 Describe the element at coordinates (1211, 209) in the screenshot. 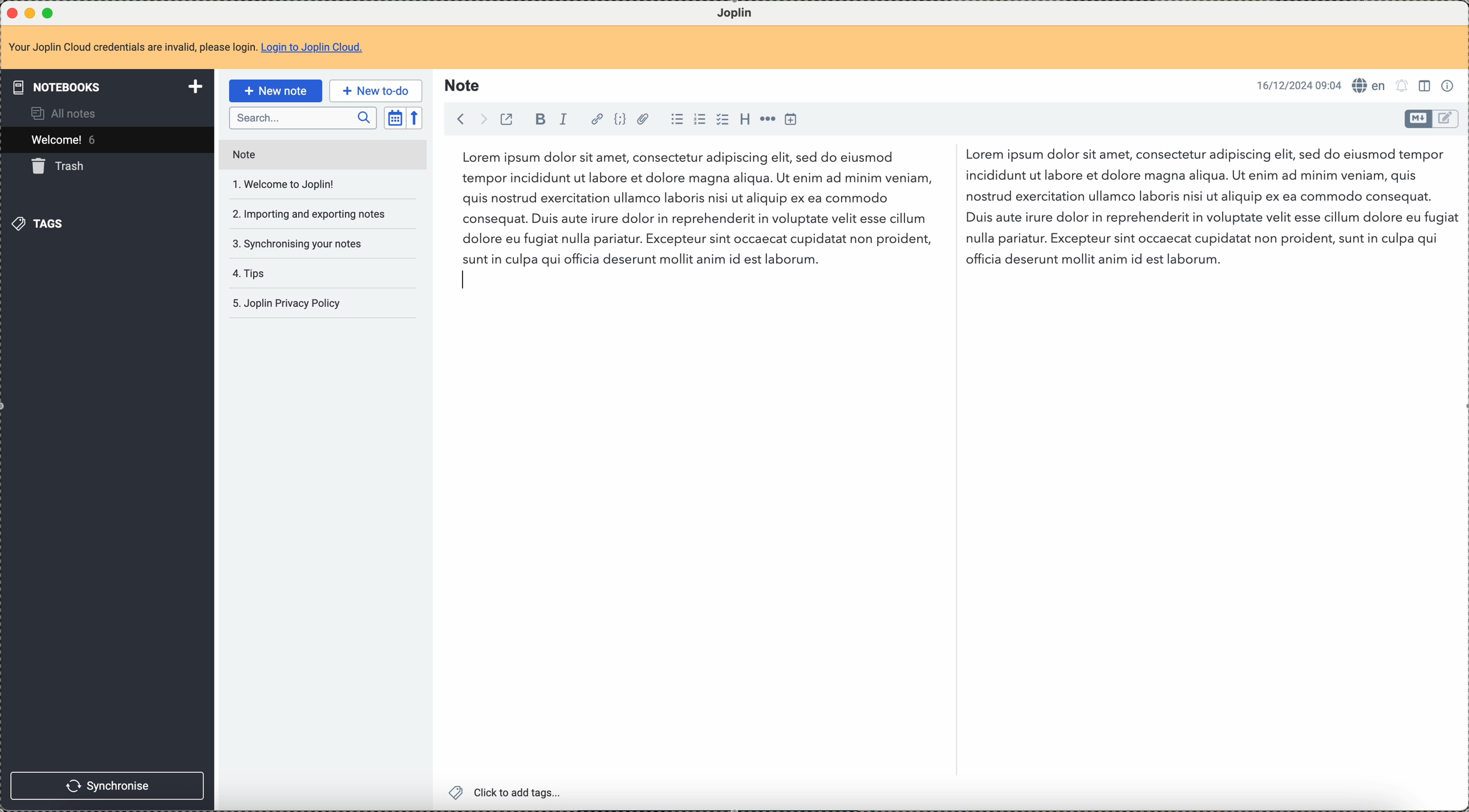

I see `Lorem ipsum dolor sit amet, consectetur...` at that location.